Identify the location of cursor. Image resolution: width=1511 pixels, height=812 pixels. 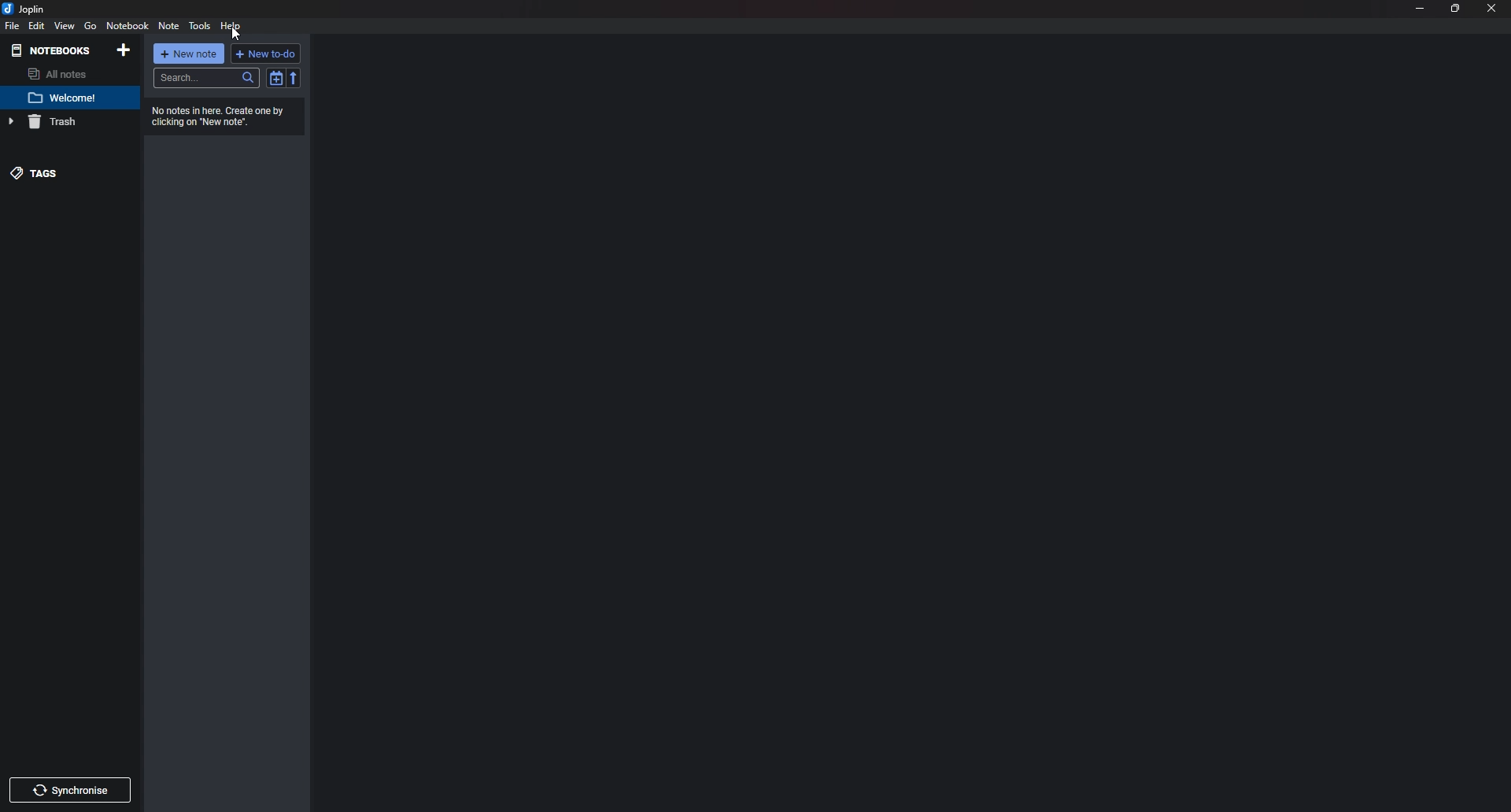
(236, 35).